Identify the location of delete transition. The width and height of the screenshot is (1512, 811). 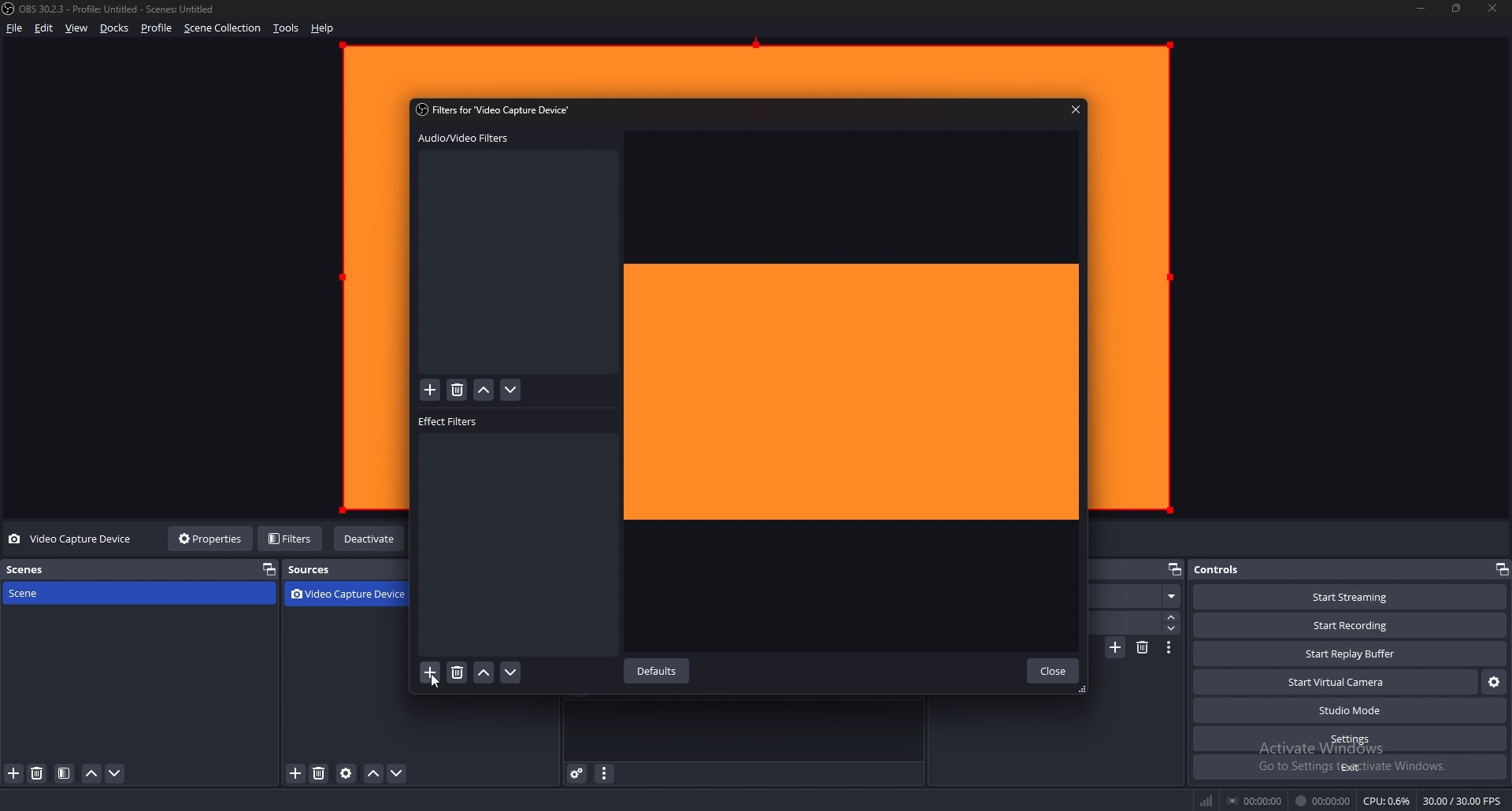
(1143, 647).